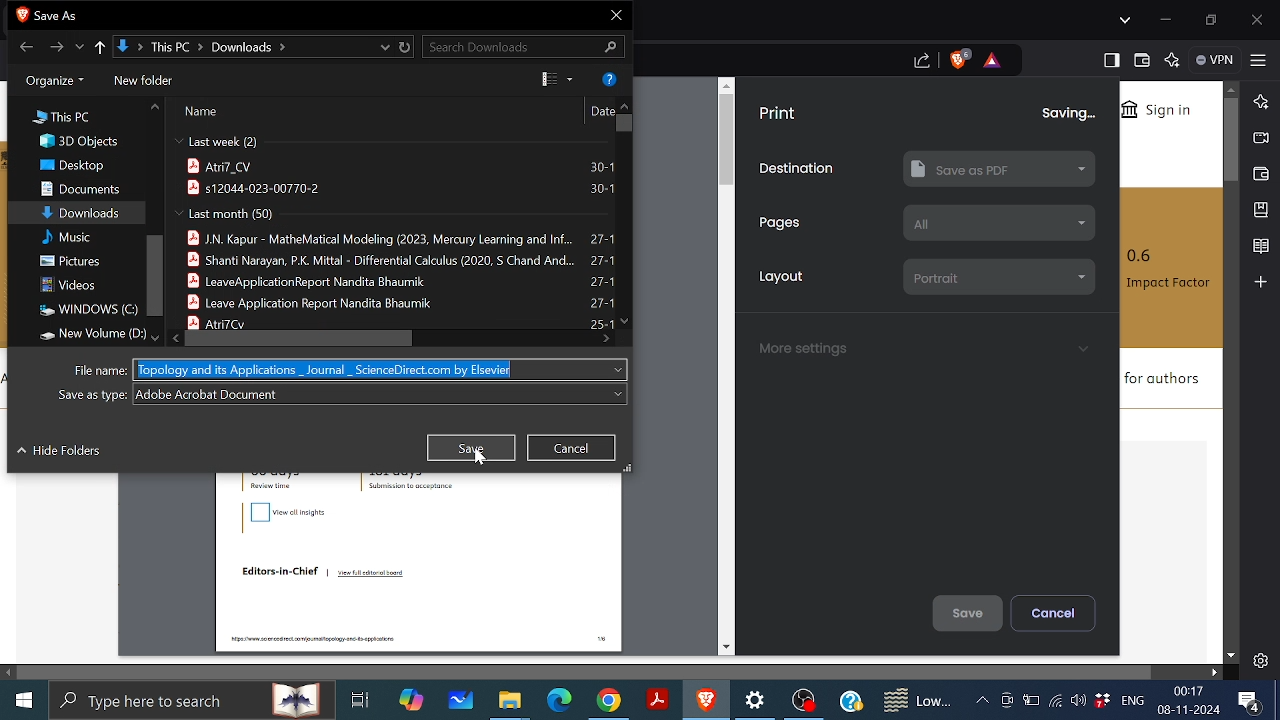 The height and width of the screenshot is (720, 1280). I want to click on Move down in file location, so click(157, 338).